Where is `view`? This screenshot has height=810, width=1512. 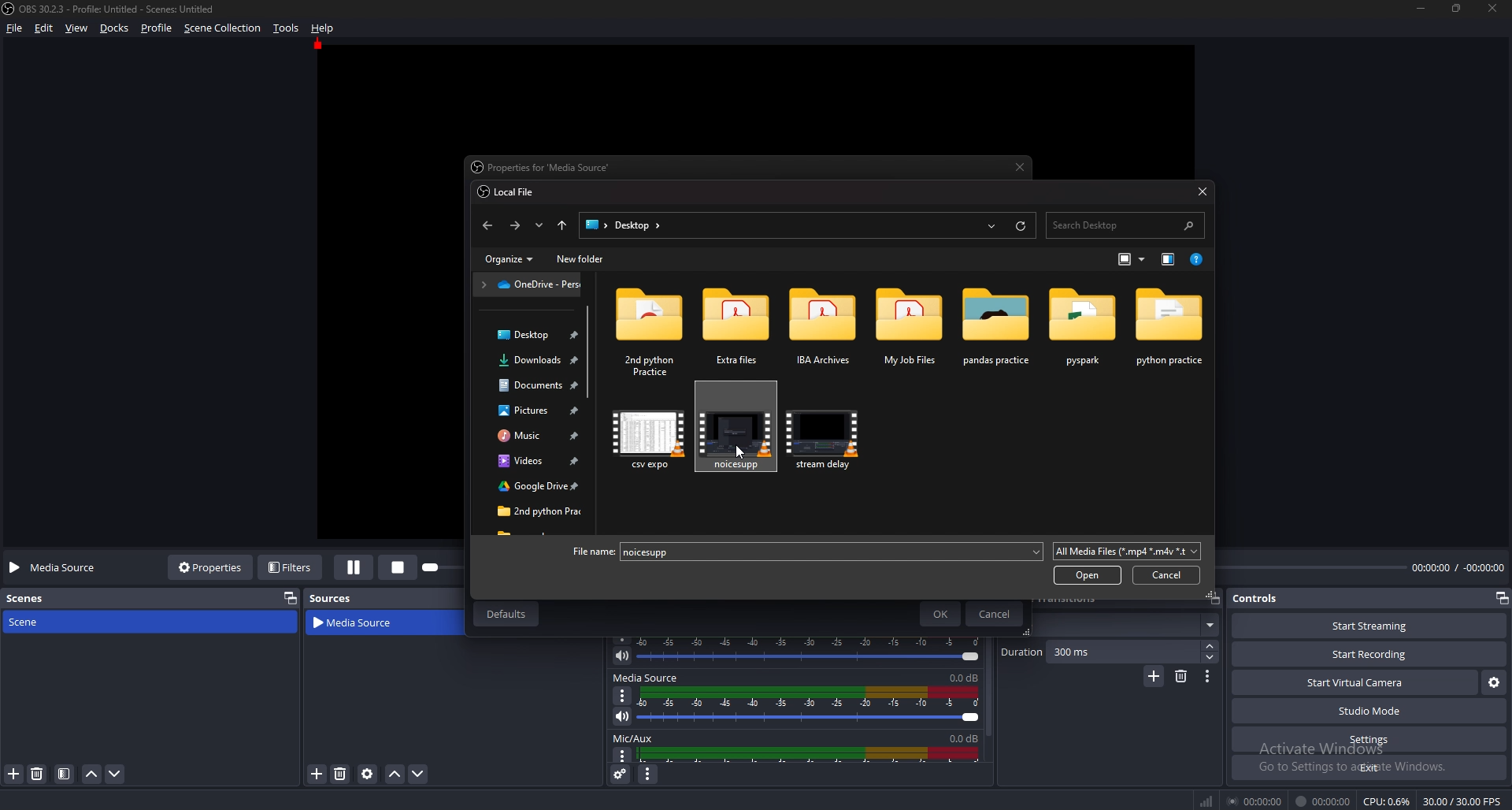
view is located at coordinates (77, 29).